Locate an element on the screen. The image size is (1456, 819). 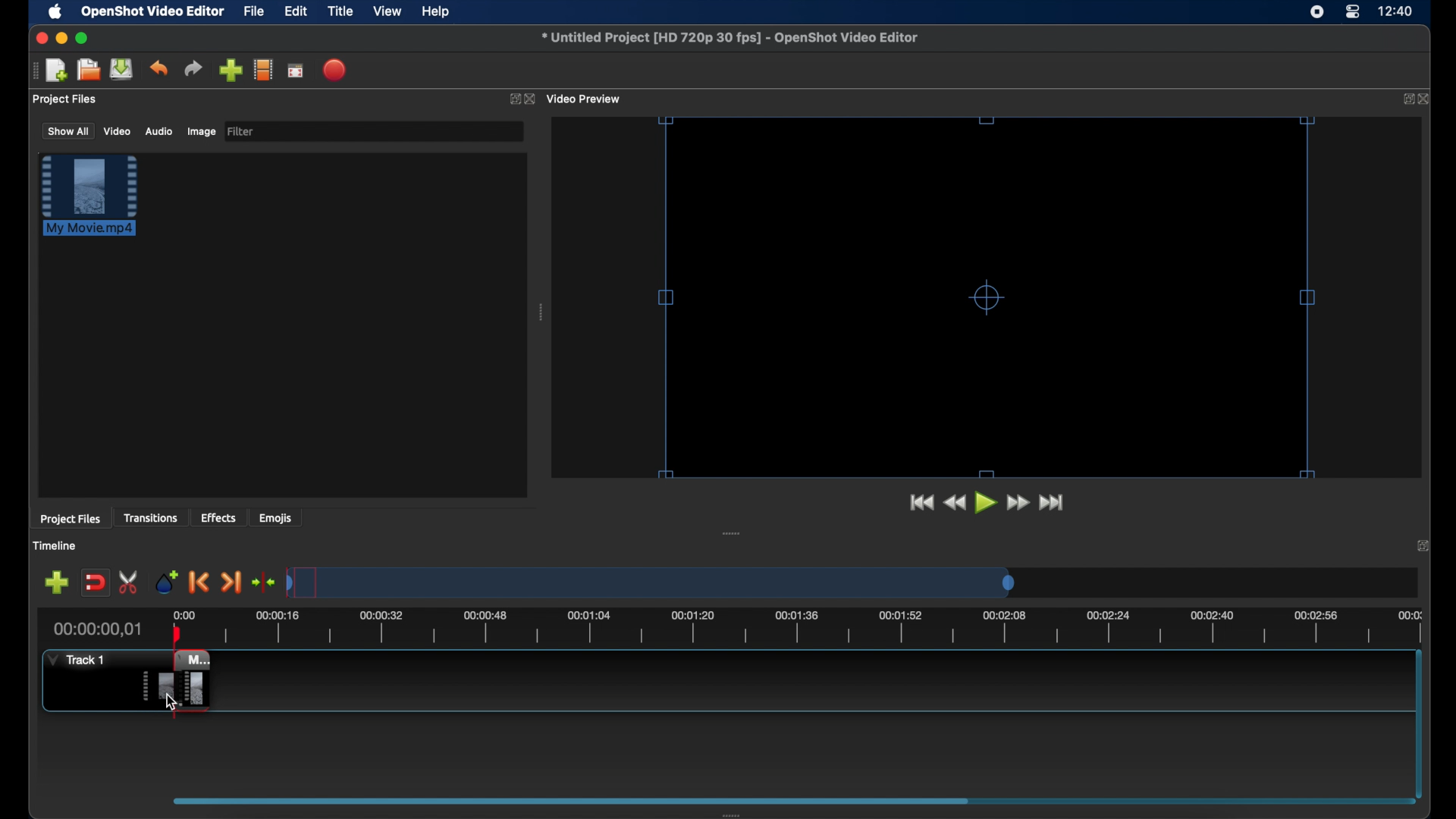
jump to start is located at coordinates (918, 502).